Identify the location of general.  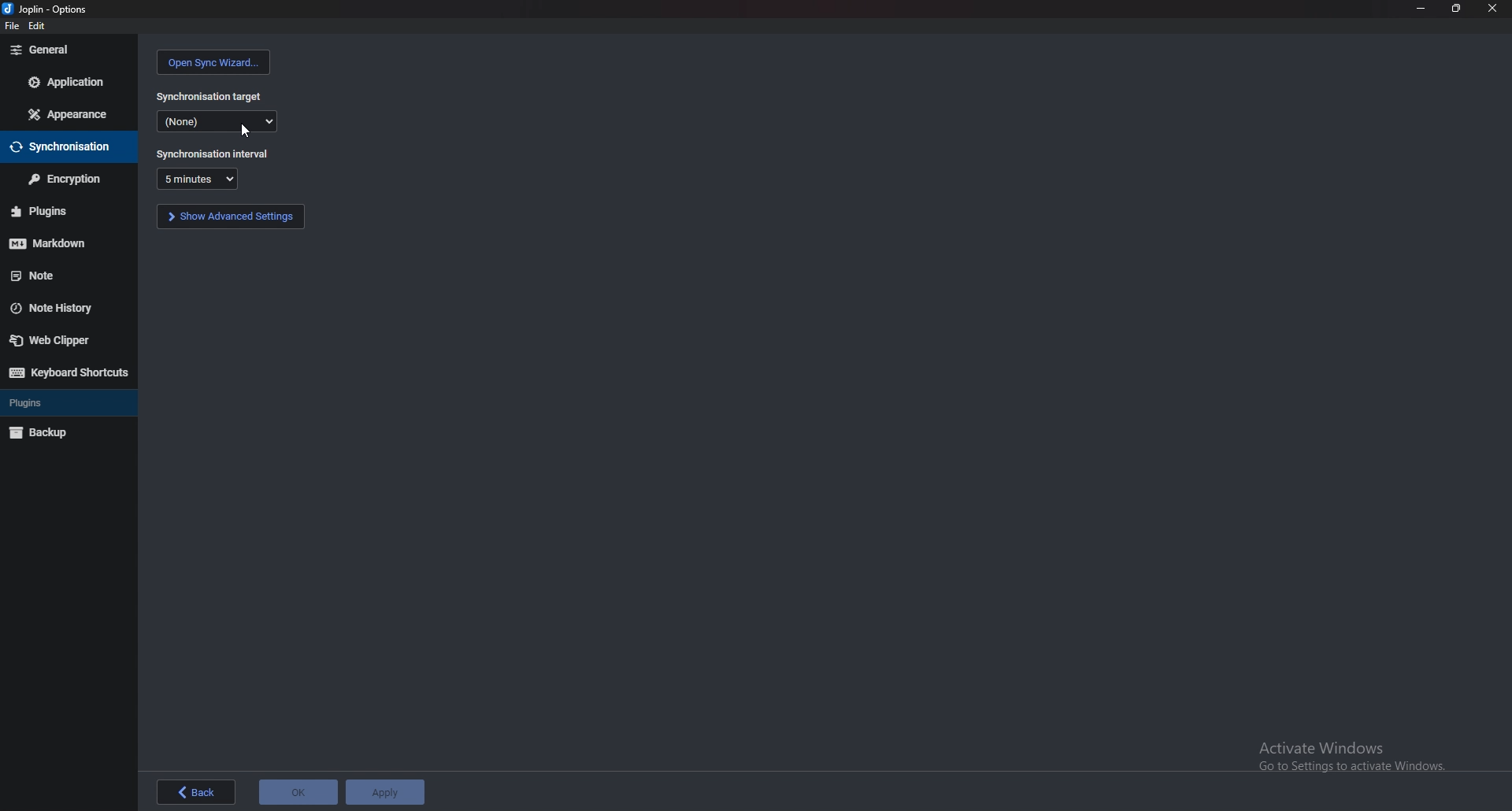
(72, 50).